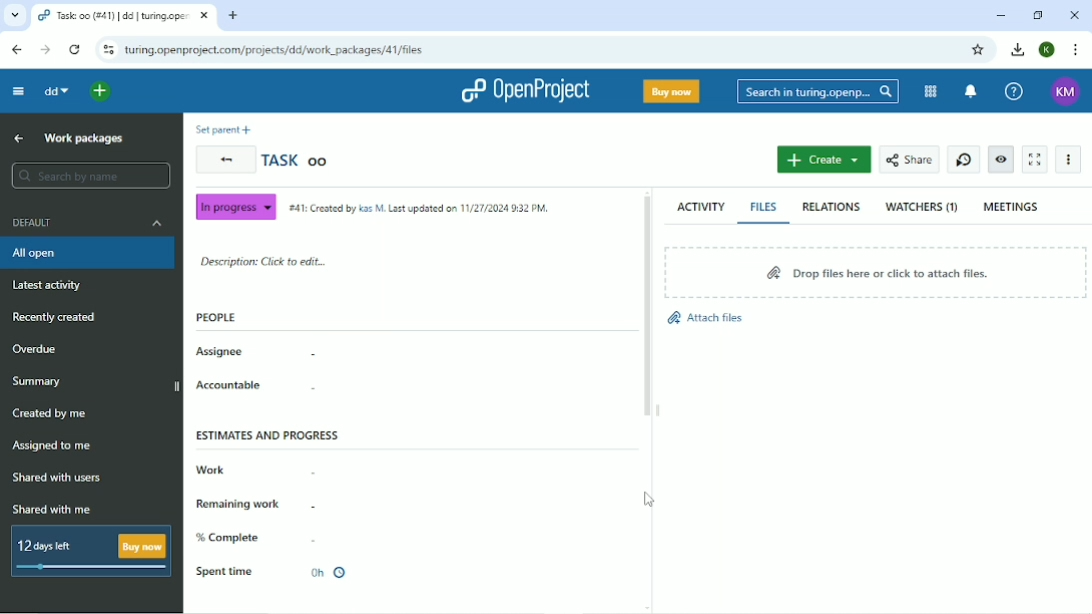 This screenshot has width=1092, height=614. Describe the element at coordinates (964, 160) in the screenshot. I see `Start new timer` at that location.